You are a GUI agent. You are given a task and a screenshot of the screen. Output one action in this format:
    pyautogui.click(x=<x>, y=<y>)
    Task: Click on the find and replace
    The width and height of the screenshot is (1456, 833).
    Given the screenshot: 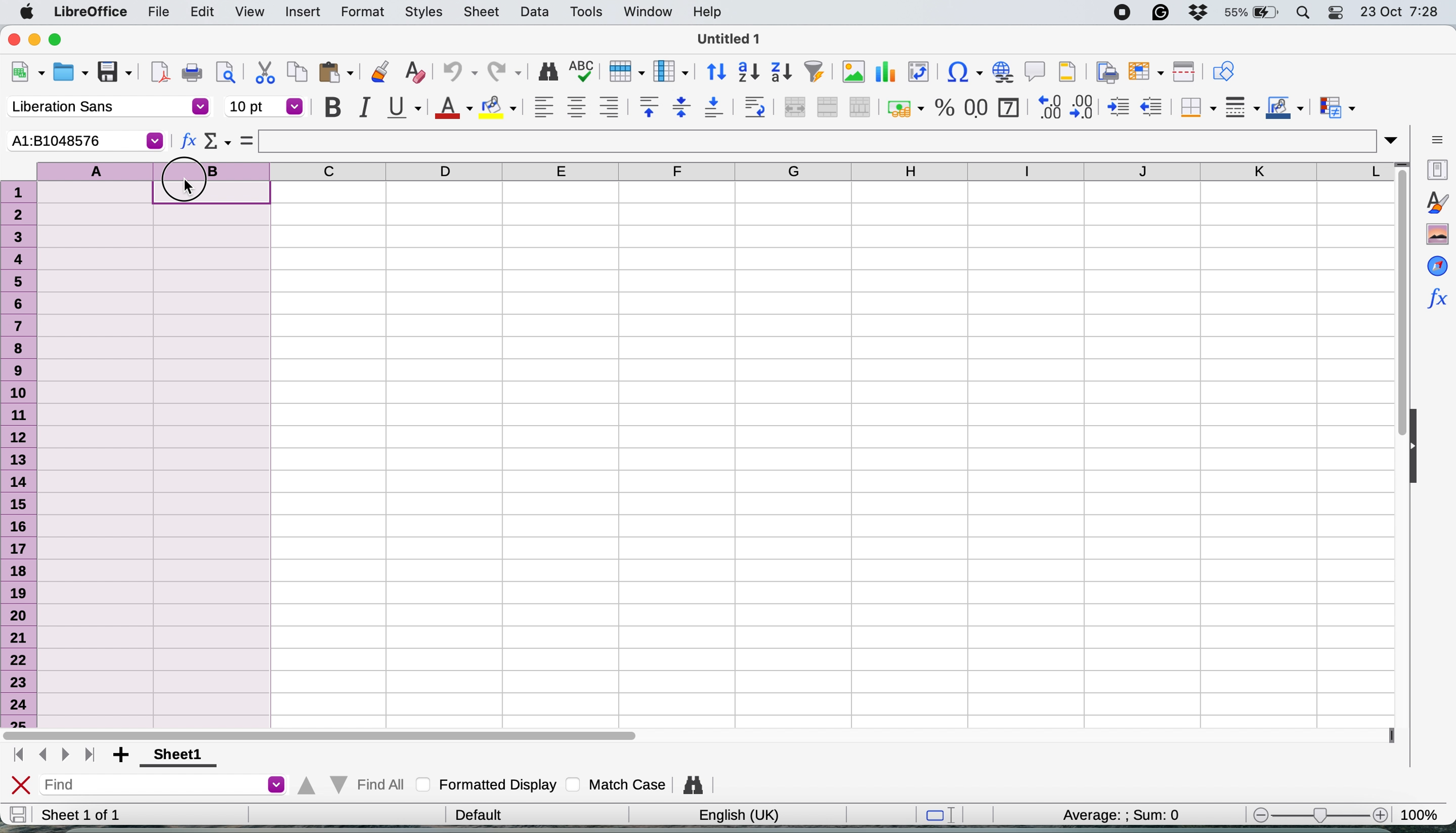 What is the action you would take?
    pyautogui.click(x=544, y=71)
    